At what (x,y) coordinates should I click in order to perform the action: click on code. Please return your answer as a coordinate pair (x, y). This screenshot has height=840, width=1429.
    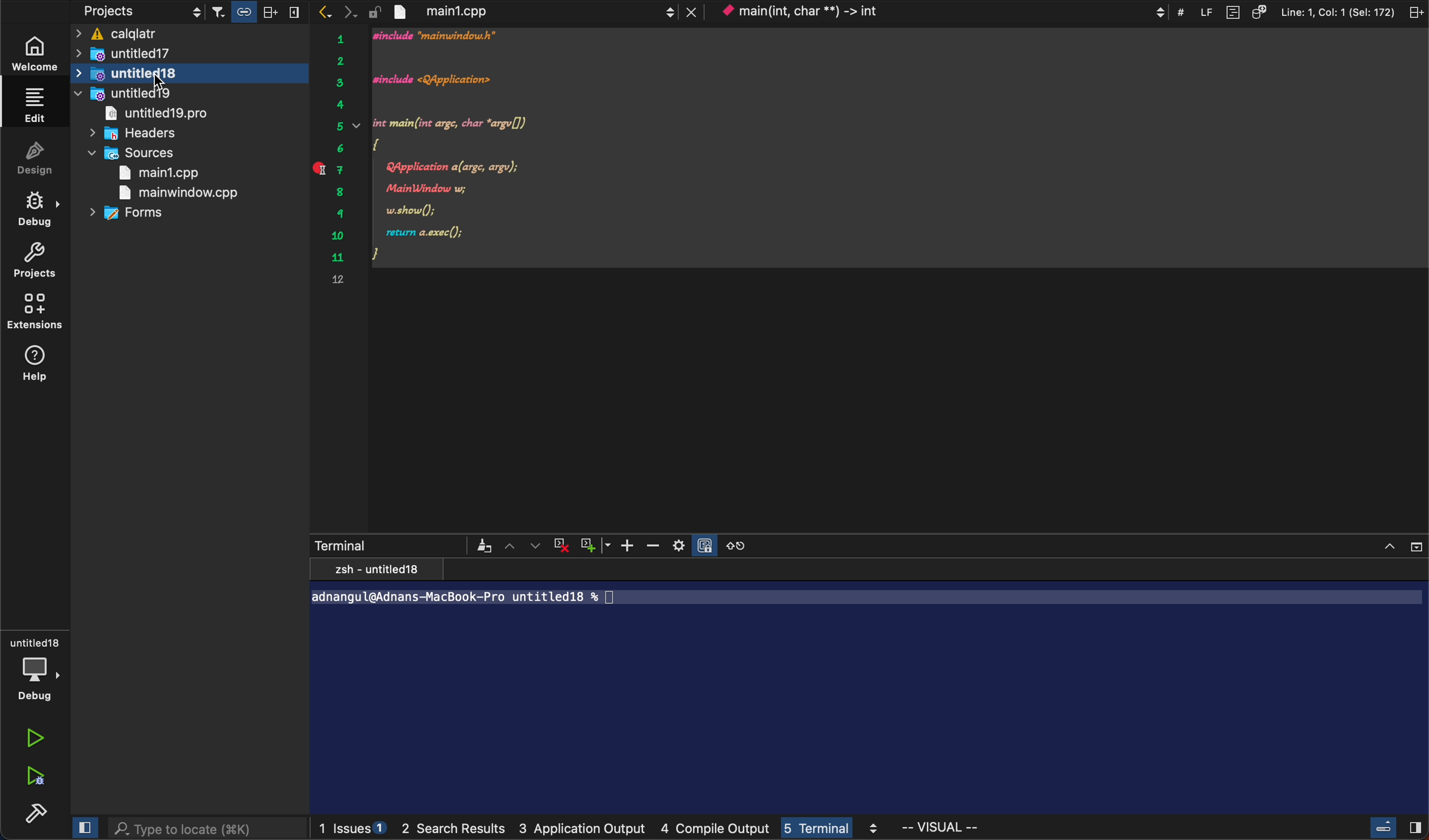
    Looking at the image, I should click on (897, 148).